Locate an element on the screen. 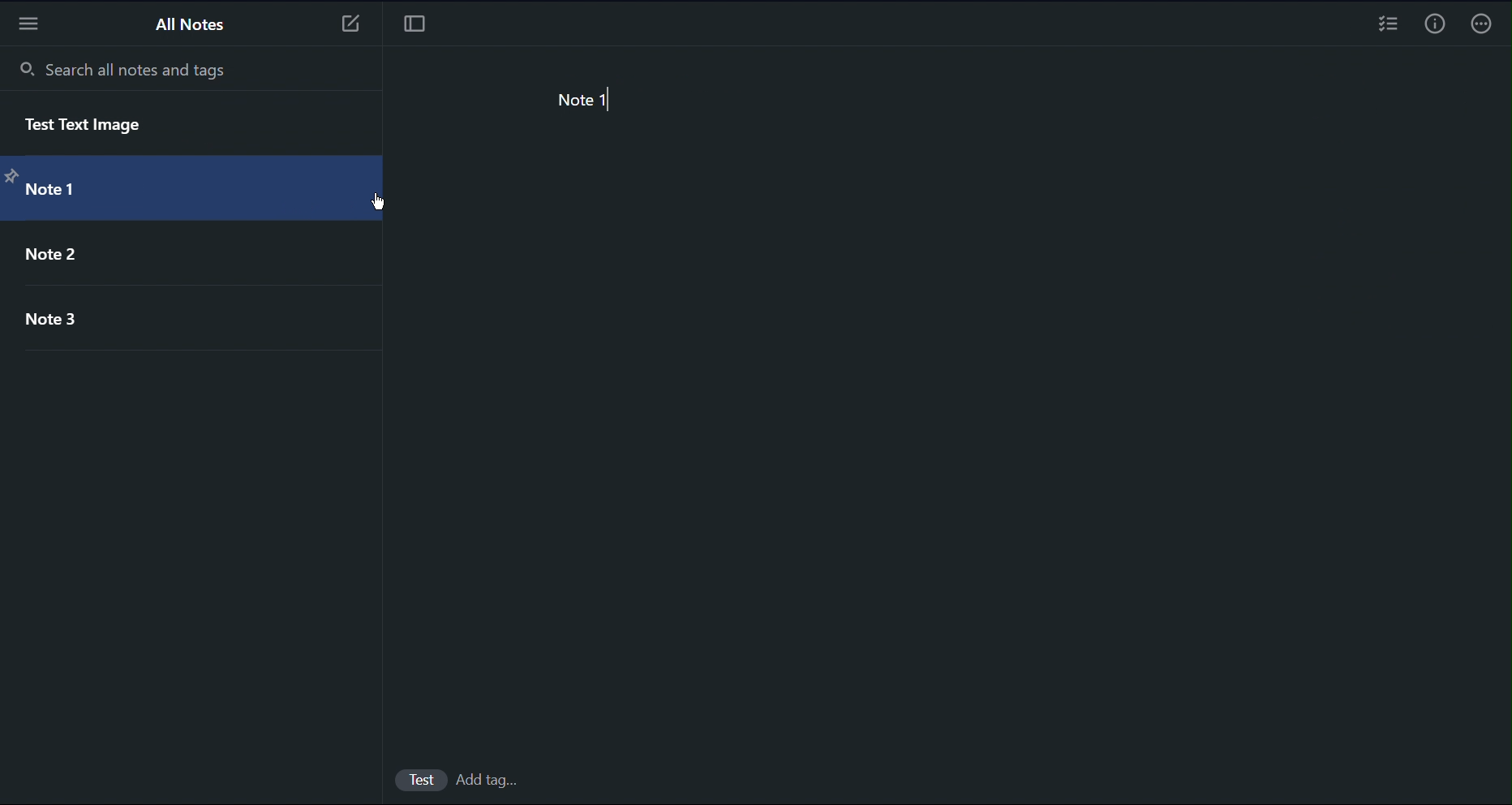 Image resolution: width=1512 pixels, height=805 pixels.  is located at coordinates (422, 779).